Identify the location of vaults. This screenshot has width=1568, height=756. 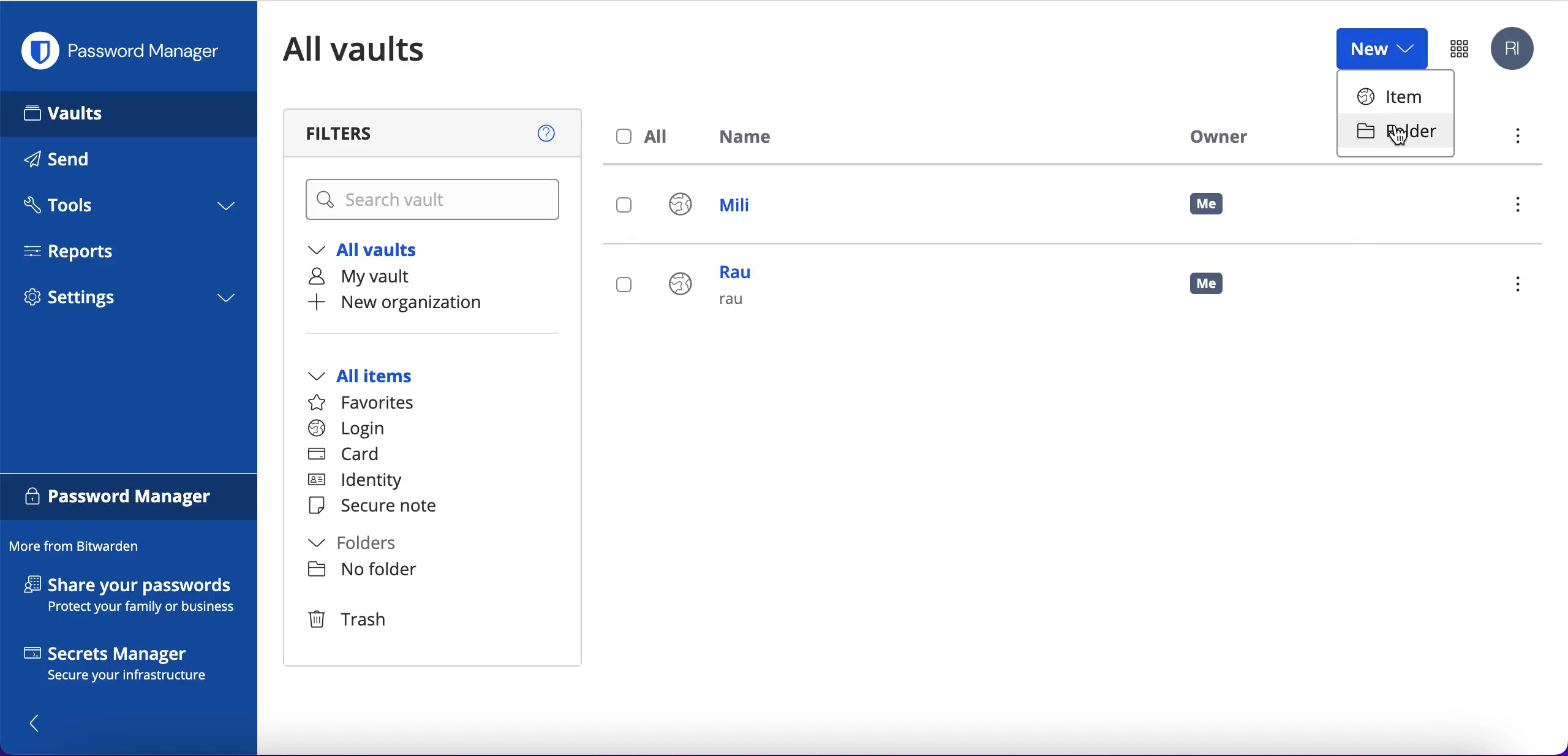
(129, 113).